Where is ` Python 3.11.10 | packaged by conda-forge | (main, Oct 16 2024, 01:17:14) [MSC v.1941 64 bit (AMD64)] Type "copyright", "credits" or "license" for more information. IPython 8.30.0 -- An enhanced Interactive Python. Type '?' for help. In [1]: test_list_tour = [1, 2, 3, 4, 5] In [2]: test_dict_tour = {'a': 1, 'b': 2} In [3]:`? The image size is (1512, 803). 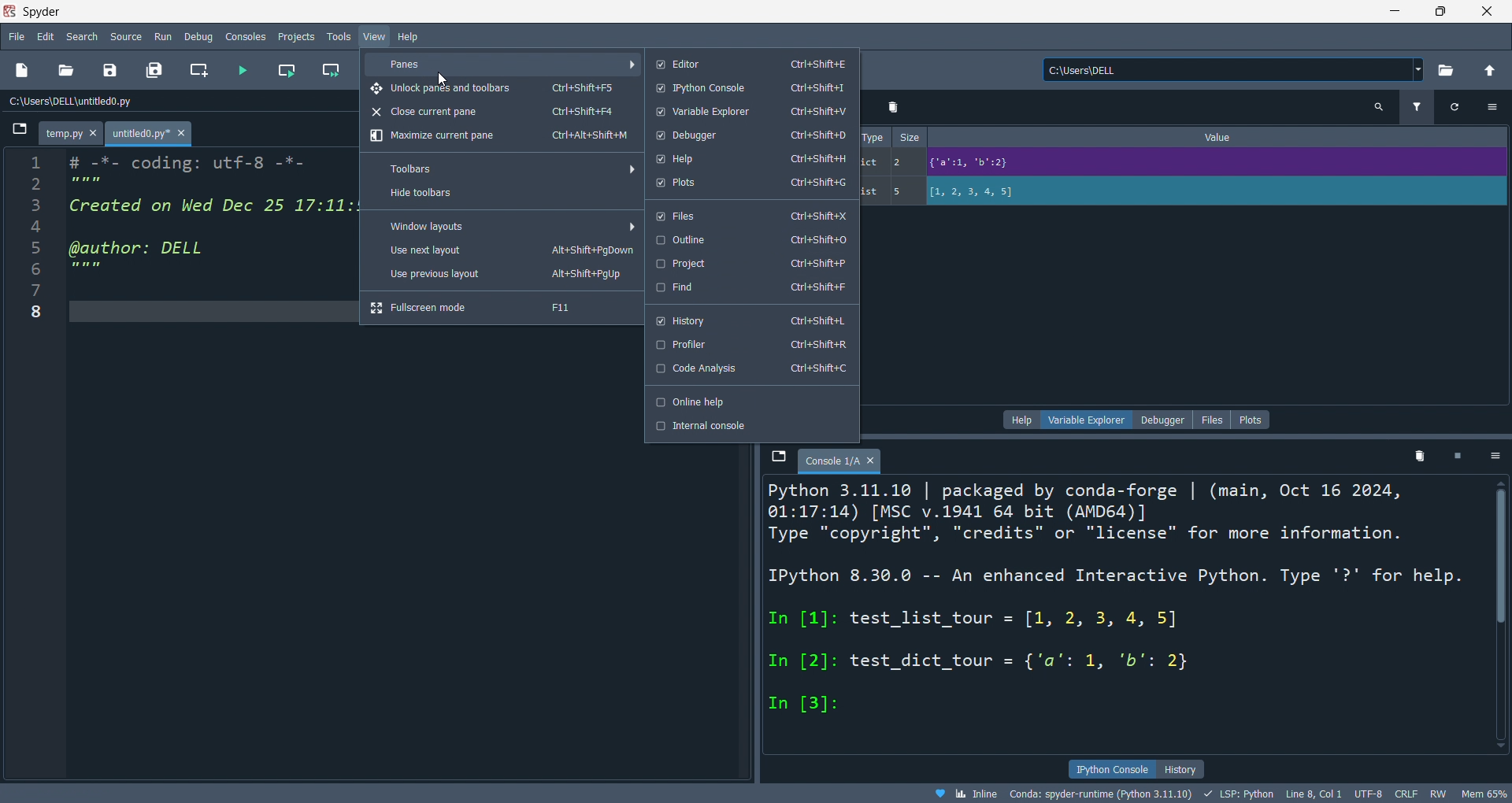
 Python 3.11.10 | packaged by conda-forge | (main, Oct 16 2024, 01:17:14) [MSC v.1941 64 bit (AMD64)] Type "copyright", "credits" or "license" for more information. IPython 8.30.0 -- An enhanced Interactive Python. Type '?' for help. In [1]: test_list_tour = [1, 2, 3, 4, 5] In [2]: test_dict_tour = {'a': 1, 'b': 2} In [3]: is located at coordinates (1123, 618).